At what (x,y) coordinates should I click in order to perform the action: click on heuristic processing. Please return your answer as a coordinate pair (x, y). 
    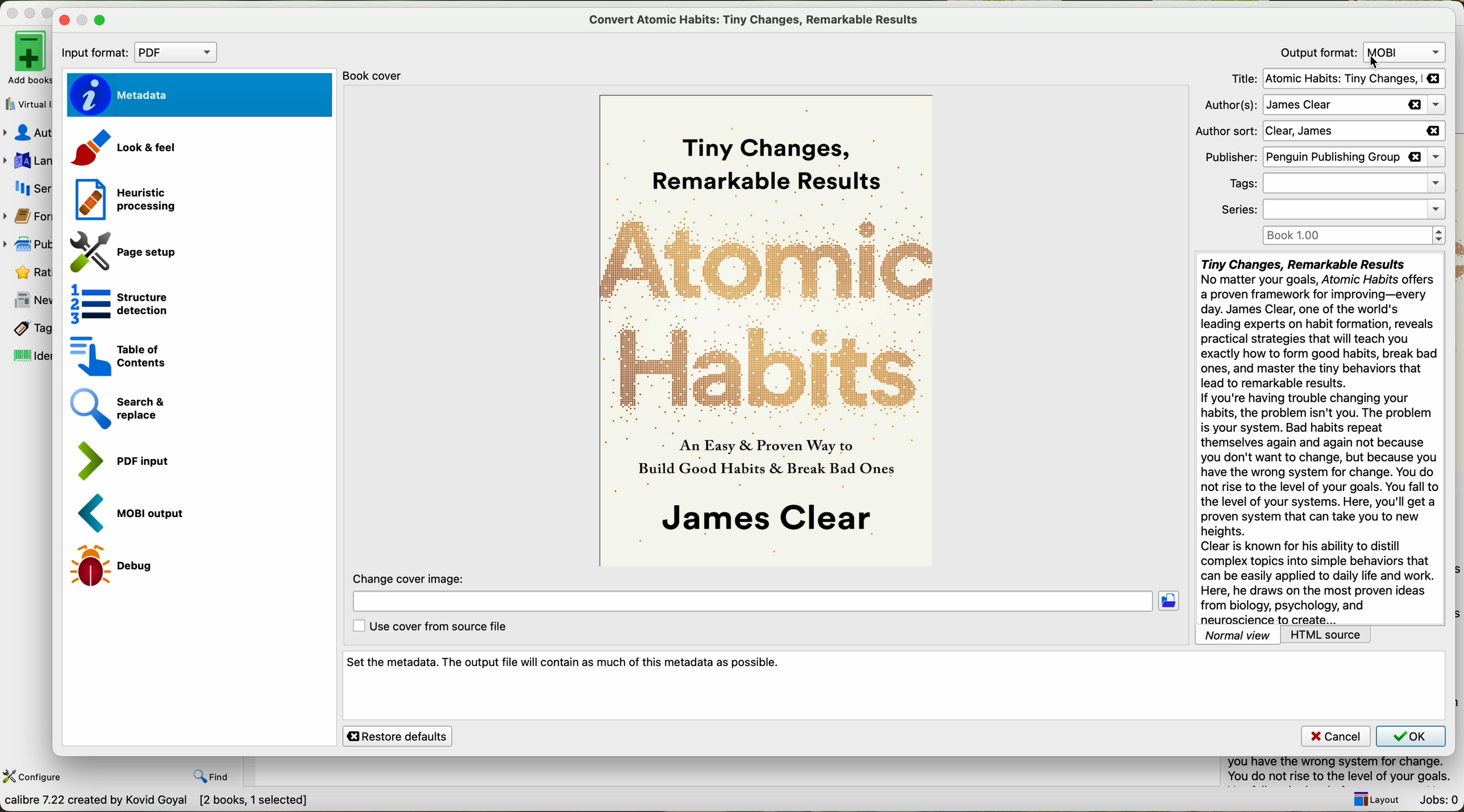
    Looking at the image, I should click on (120, 197).